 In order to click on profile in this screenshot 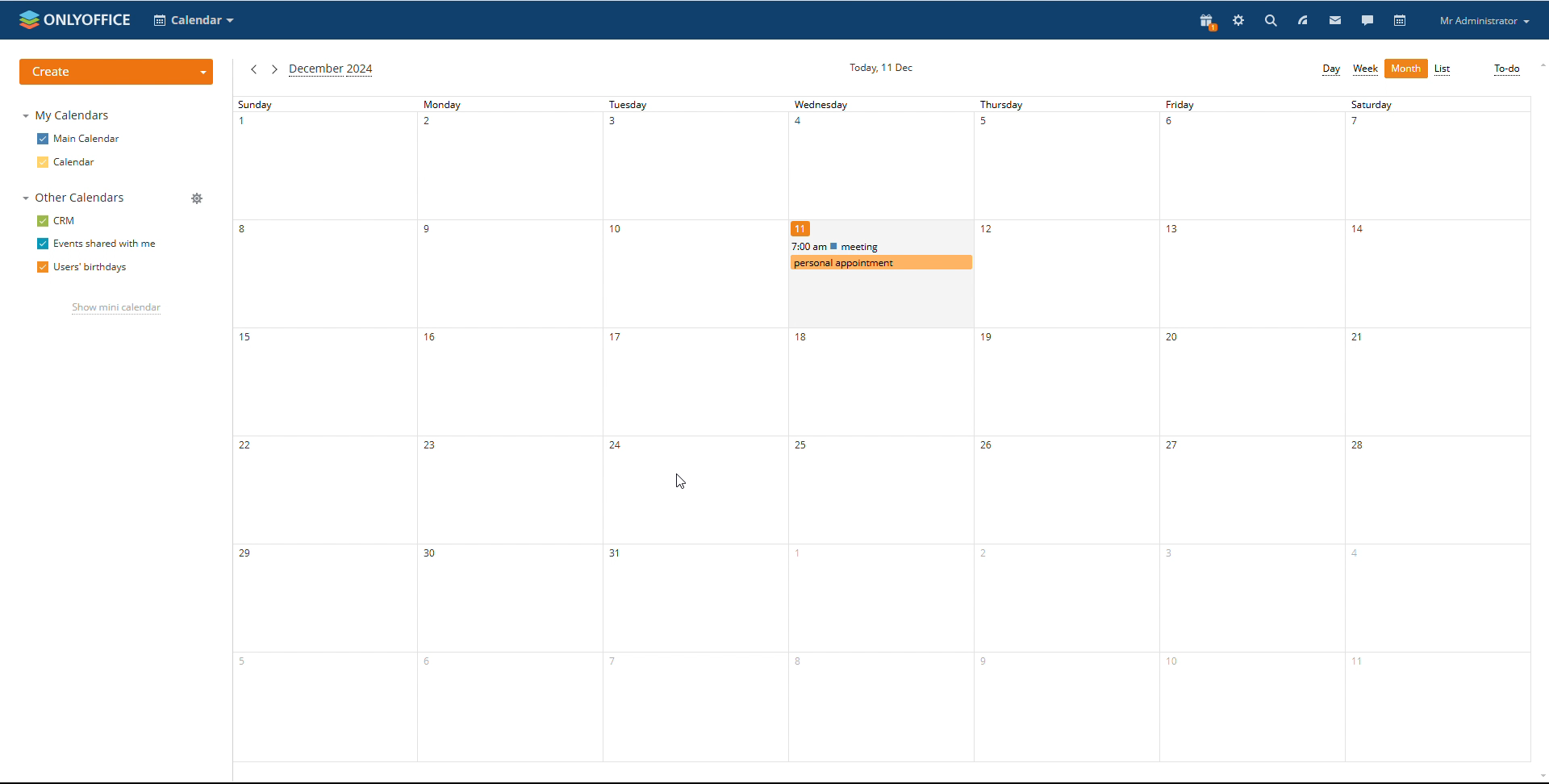, I will do `click(1483, 21)`.